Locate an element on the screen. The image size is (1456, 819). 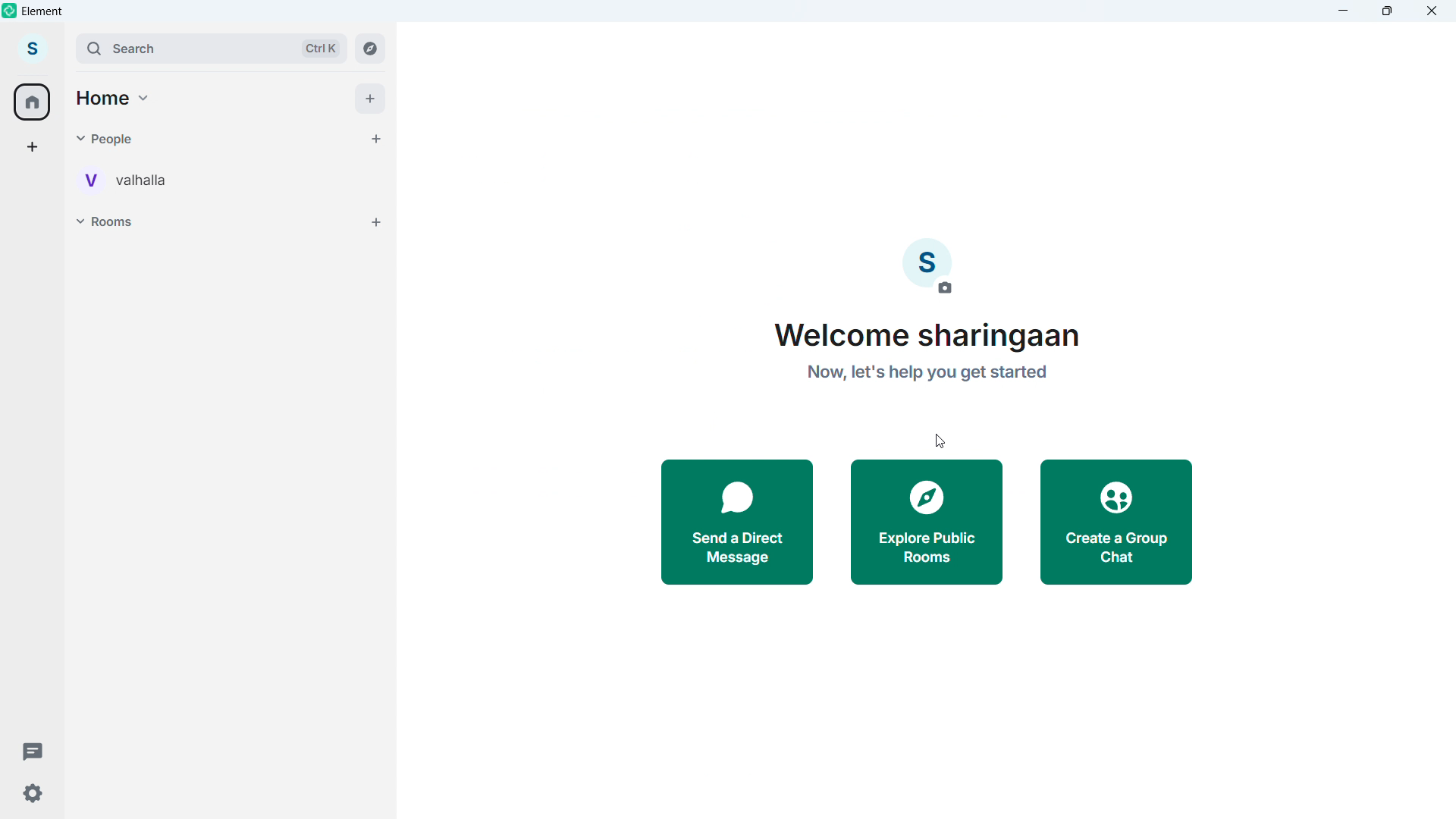
home is located at coordinates (33, 102).